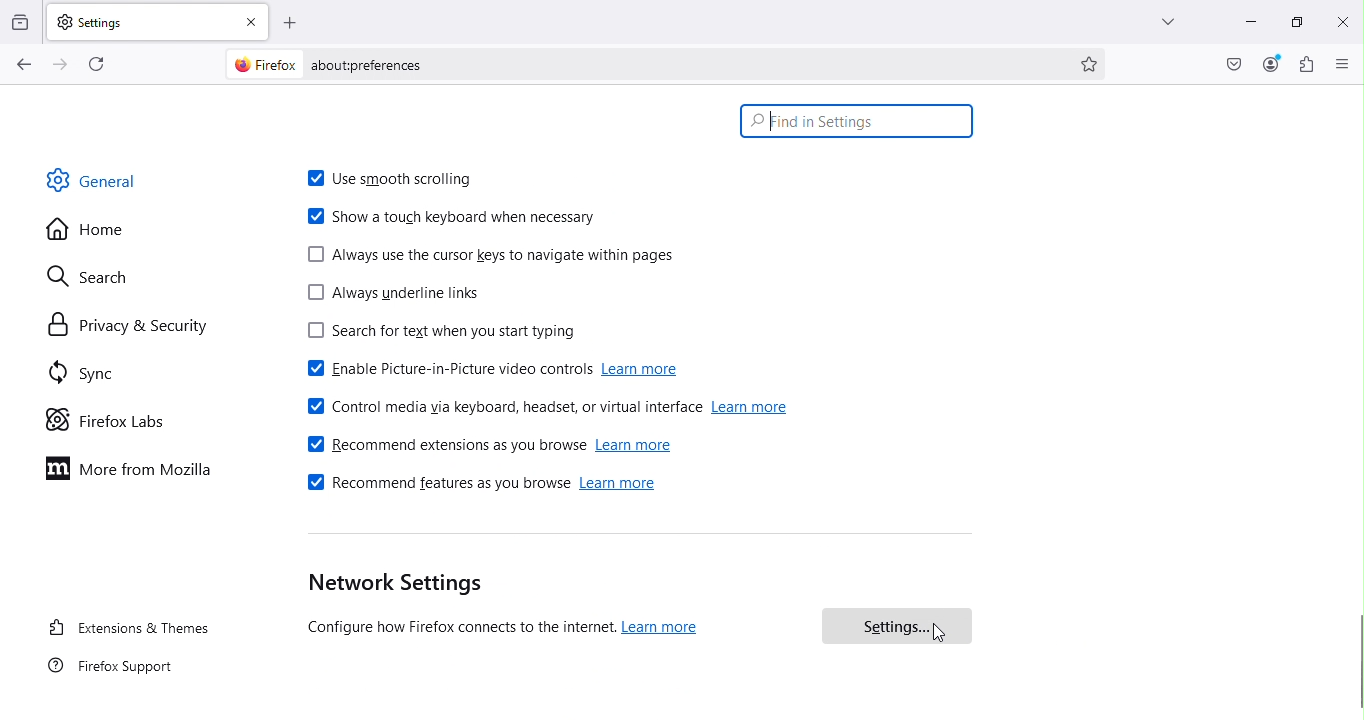 The width and height of the screenshot is (1364, 720). Describe the element at coordinates (129, 630) in the screenshot. I see `Extensions and themes` at that location.